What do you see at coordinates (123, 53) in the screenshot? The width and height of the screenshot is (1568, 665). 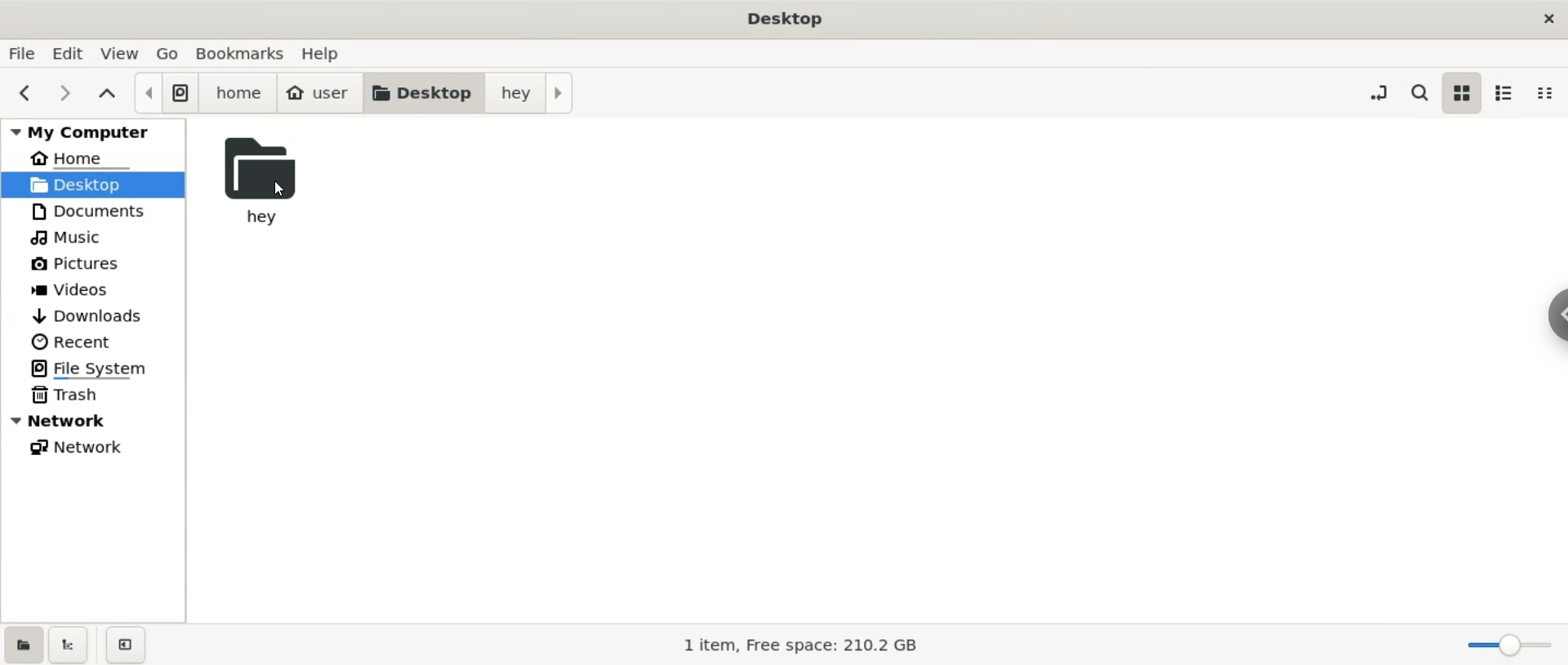 I see `view` at bounding box center [123, 53].